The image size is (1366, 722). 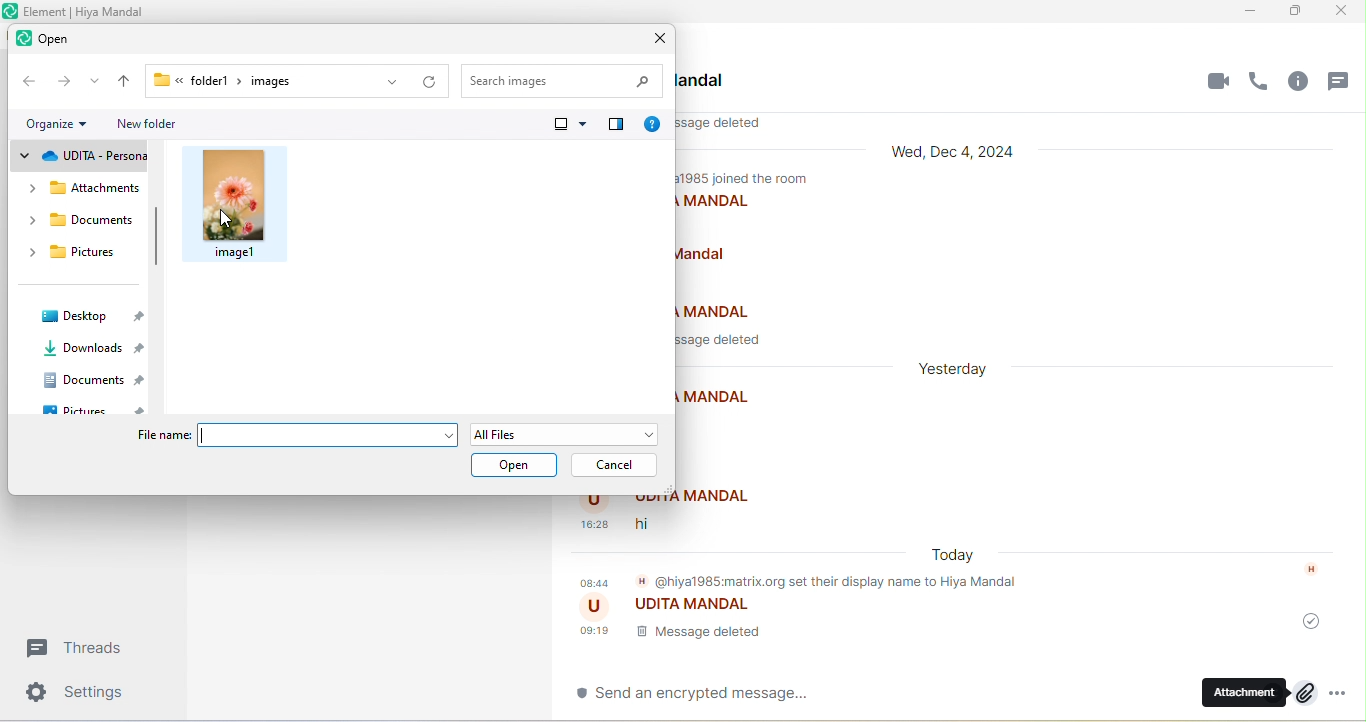 What do you see at coordinates (675, 635) in the screenshot?
I see `message delete` at bounding box center [675, 635].